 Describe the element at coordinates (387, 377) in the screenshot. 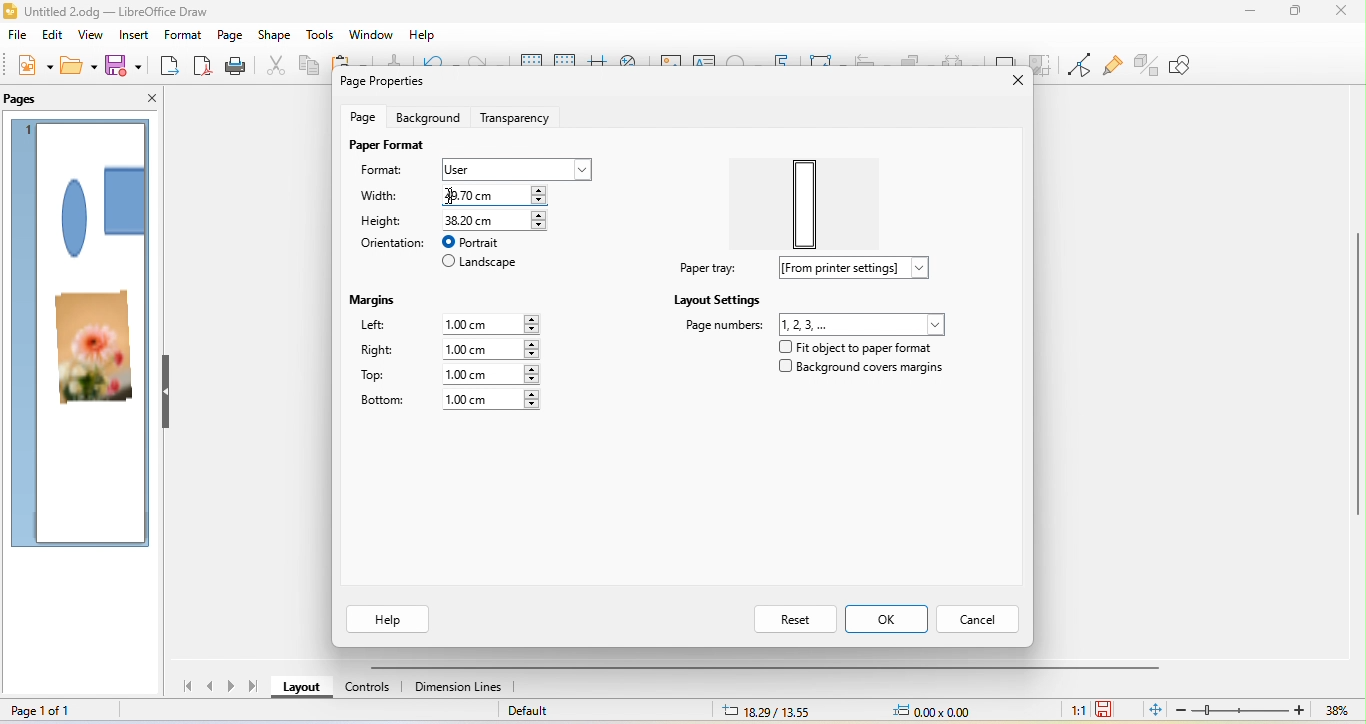

I see `top` at that location.